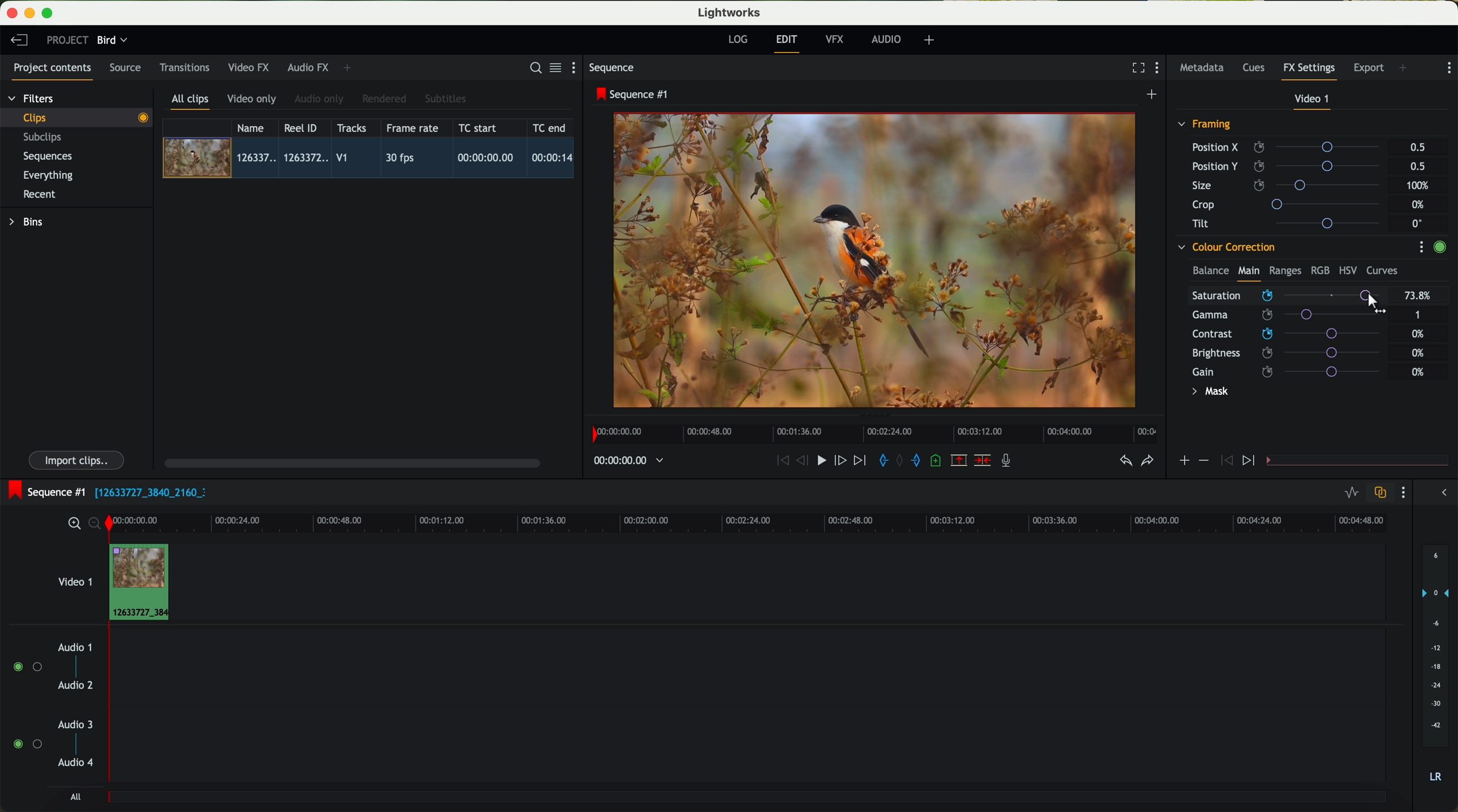 This screenshot has height=812, width=1458. What do you see at coordinates (1378, 493) in the screenshot?
I see `toggle auto track sync` at bounding box center [1378, 493].